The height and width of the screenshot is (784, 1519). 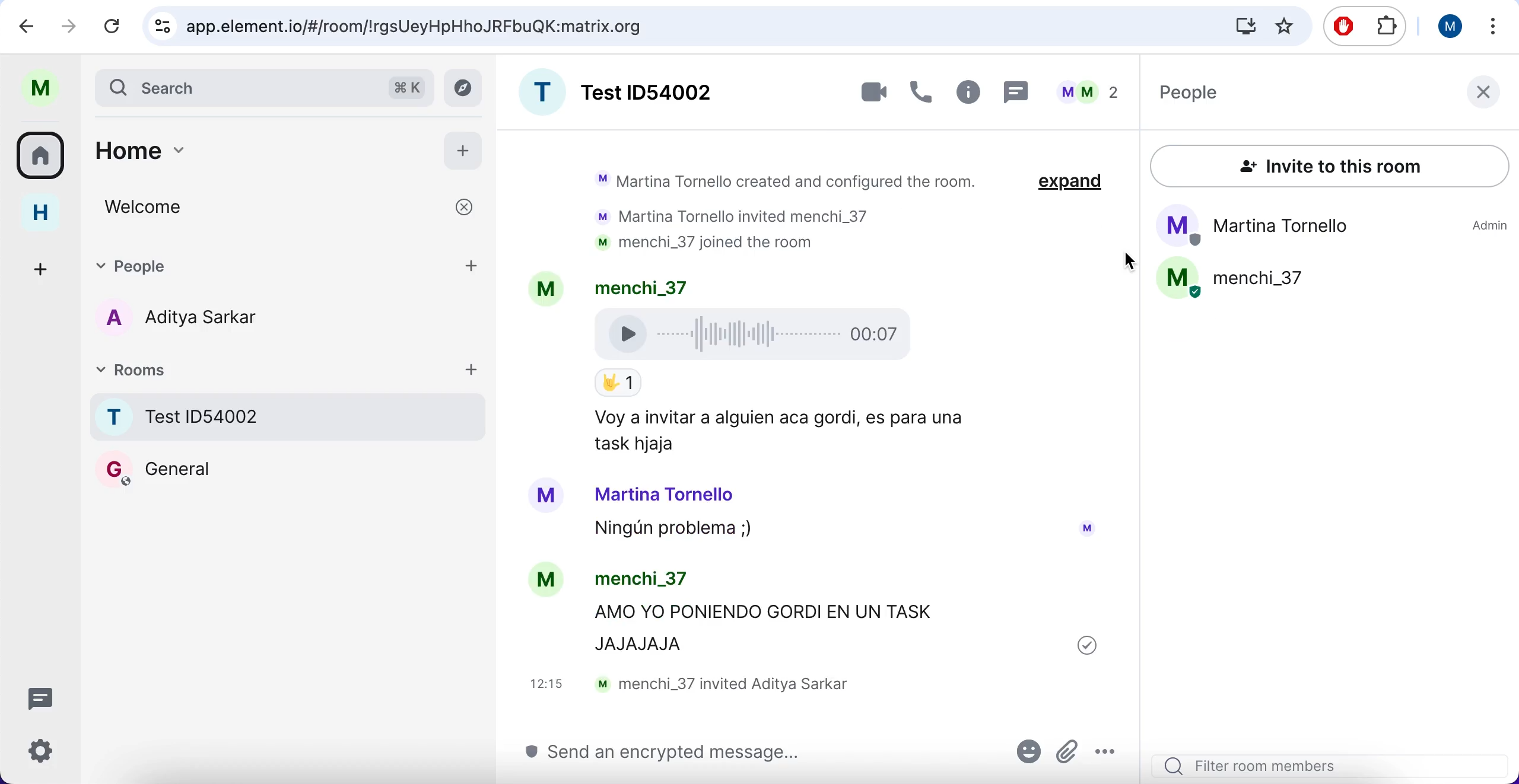 I want to click on call, so click(x=922, y=95).